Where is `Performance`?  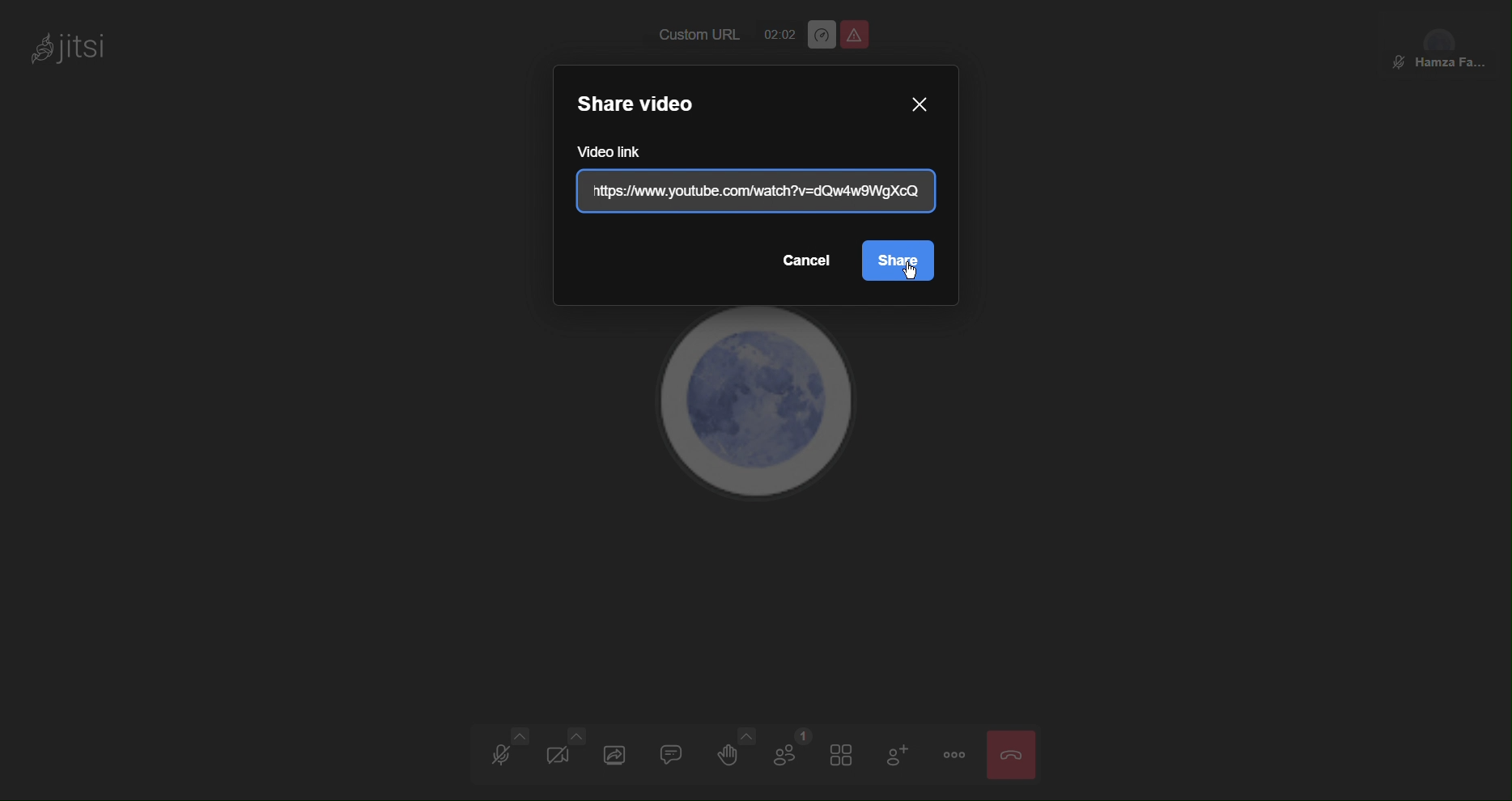 Performance is located at coordinates (821, 34).